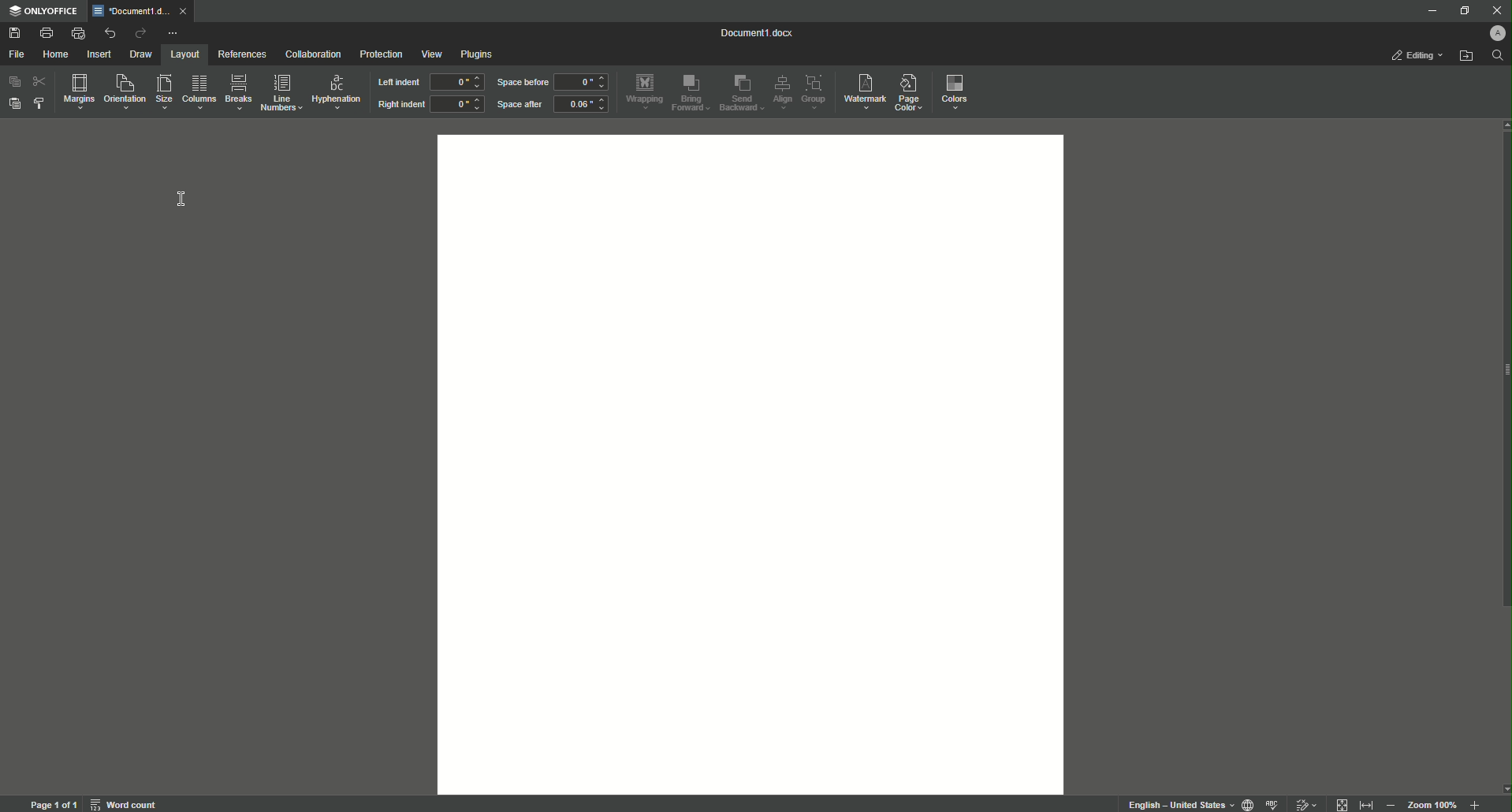 The image size is (1512, 812). Describe the element at coordinates (457, 106) in the screenshot. I see `0` at that location.